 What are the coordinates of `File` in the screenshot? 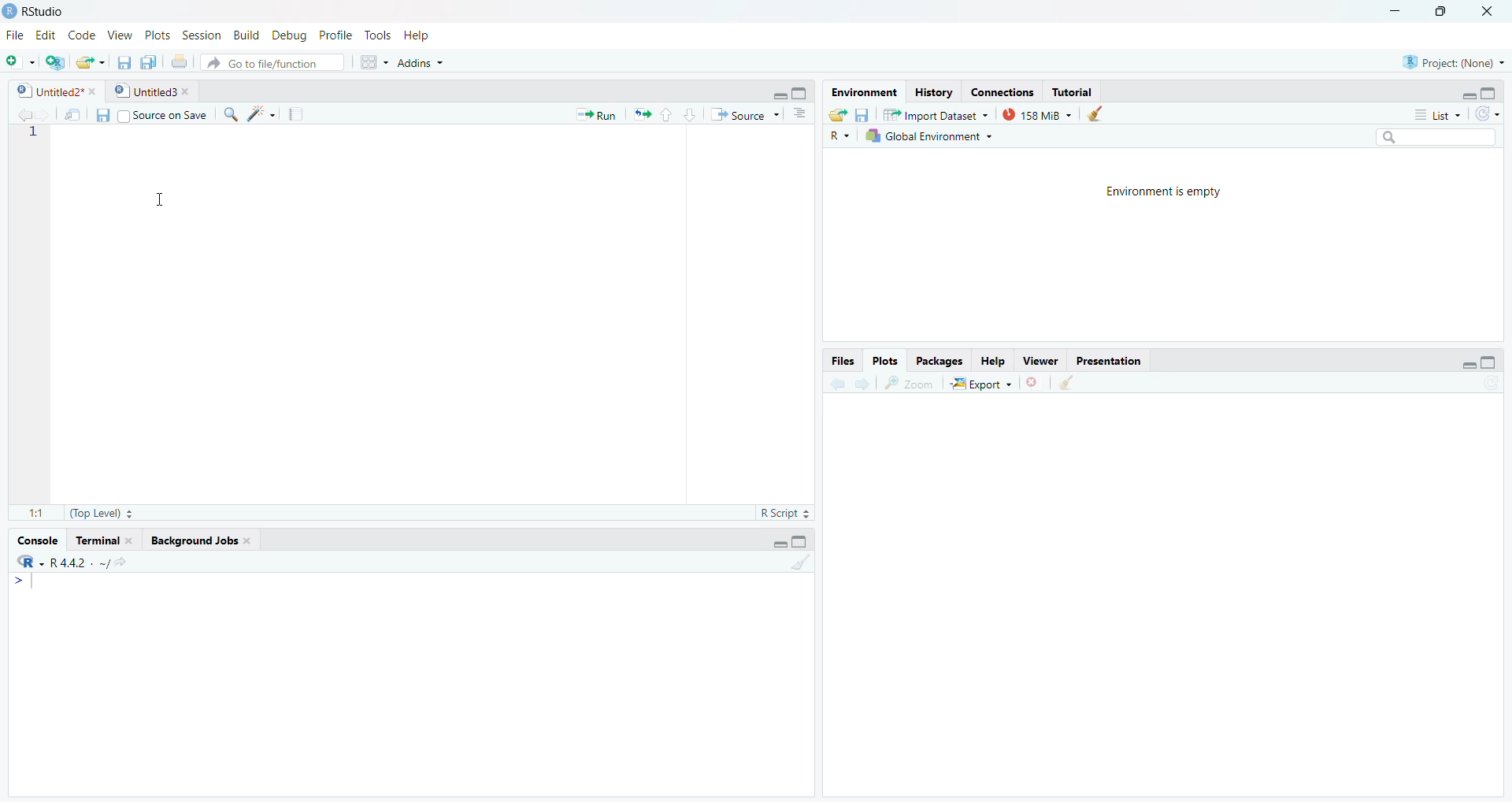 It's located at (15, 33).